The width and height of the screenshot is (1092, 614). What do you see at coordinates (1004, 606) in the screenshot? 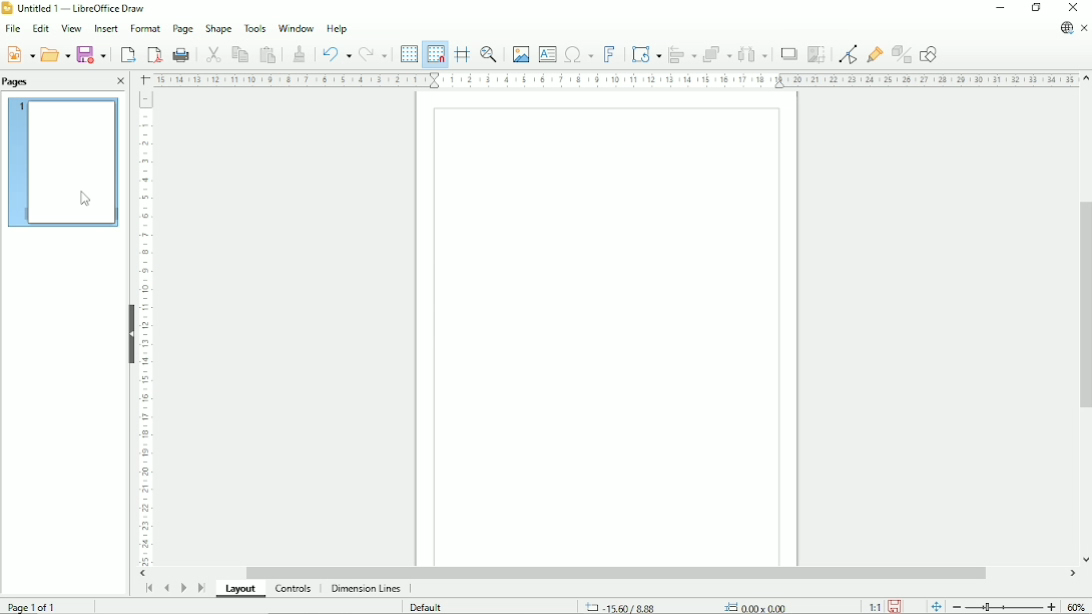
I see `Zoom out/in` at bounding box center [1004, 606].